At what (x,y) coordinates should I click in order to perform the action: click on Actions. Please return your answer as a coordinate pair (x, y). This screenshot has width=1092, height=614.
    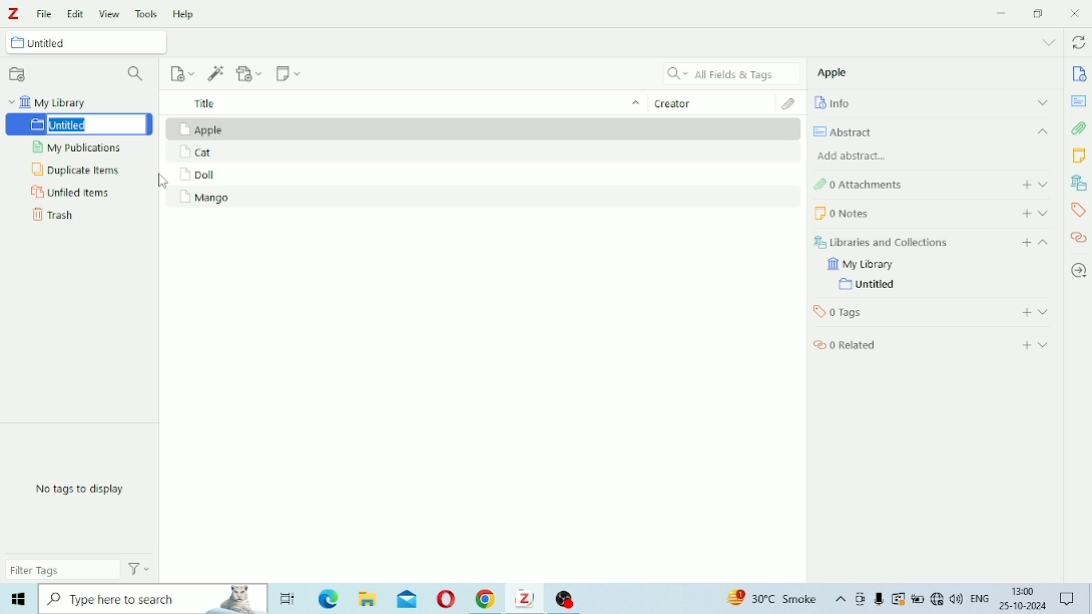
    Looking at the image, I should click on (142, 569).